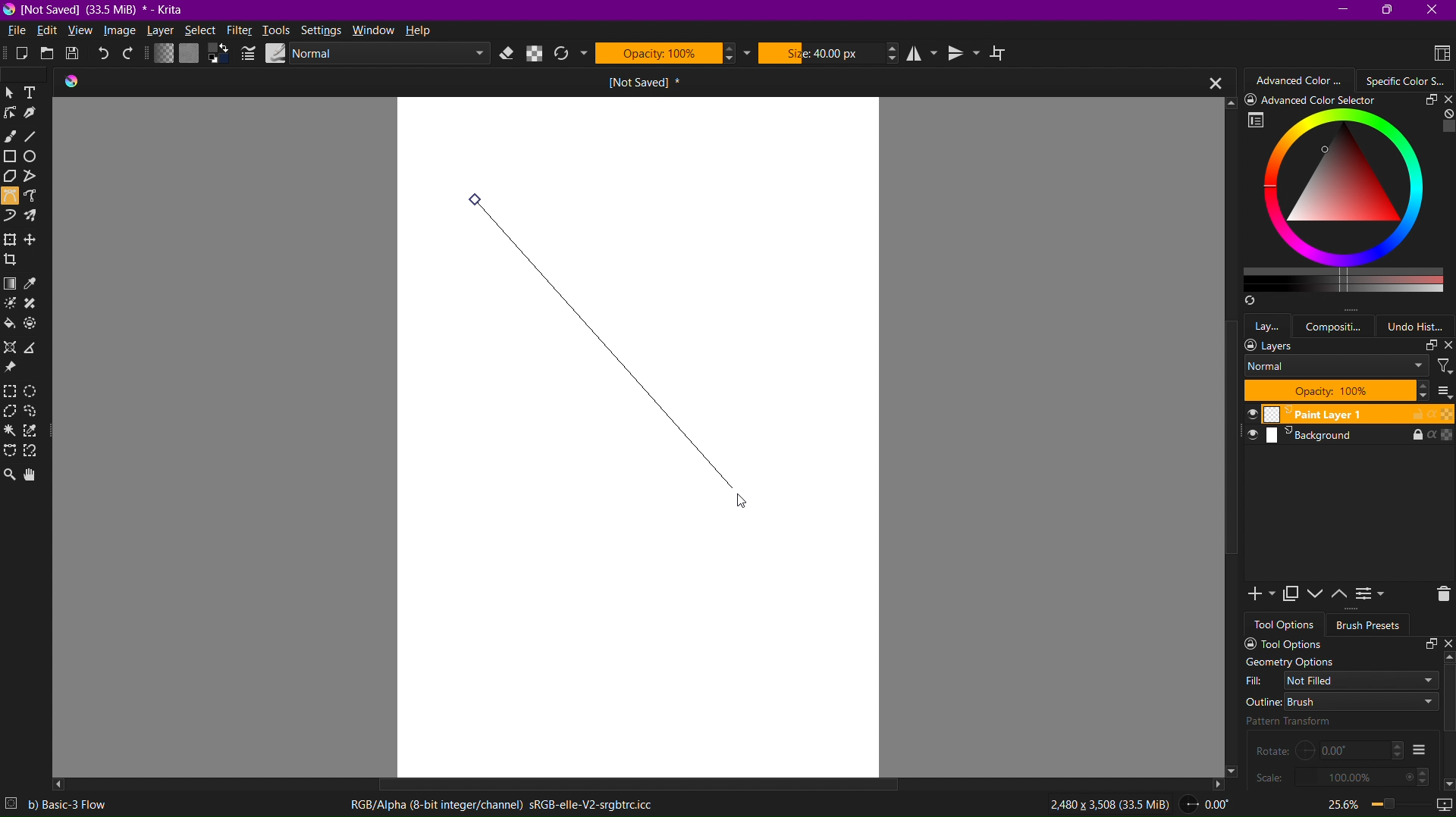 This screenshot has height=817, width=1456. What do you see at coordinates (130, 55) in the screenshot?
I see `Redo` at bounding box center [130, 55].